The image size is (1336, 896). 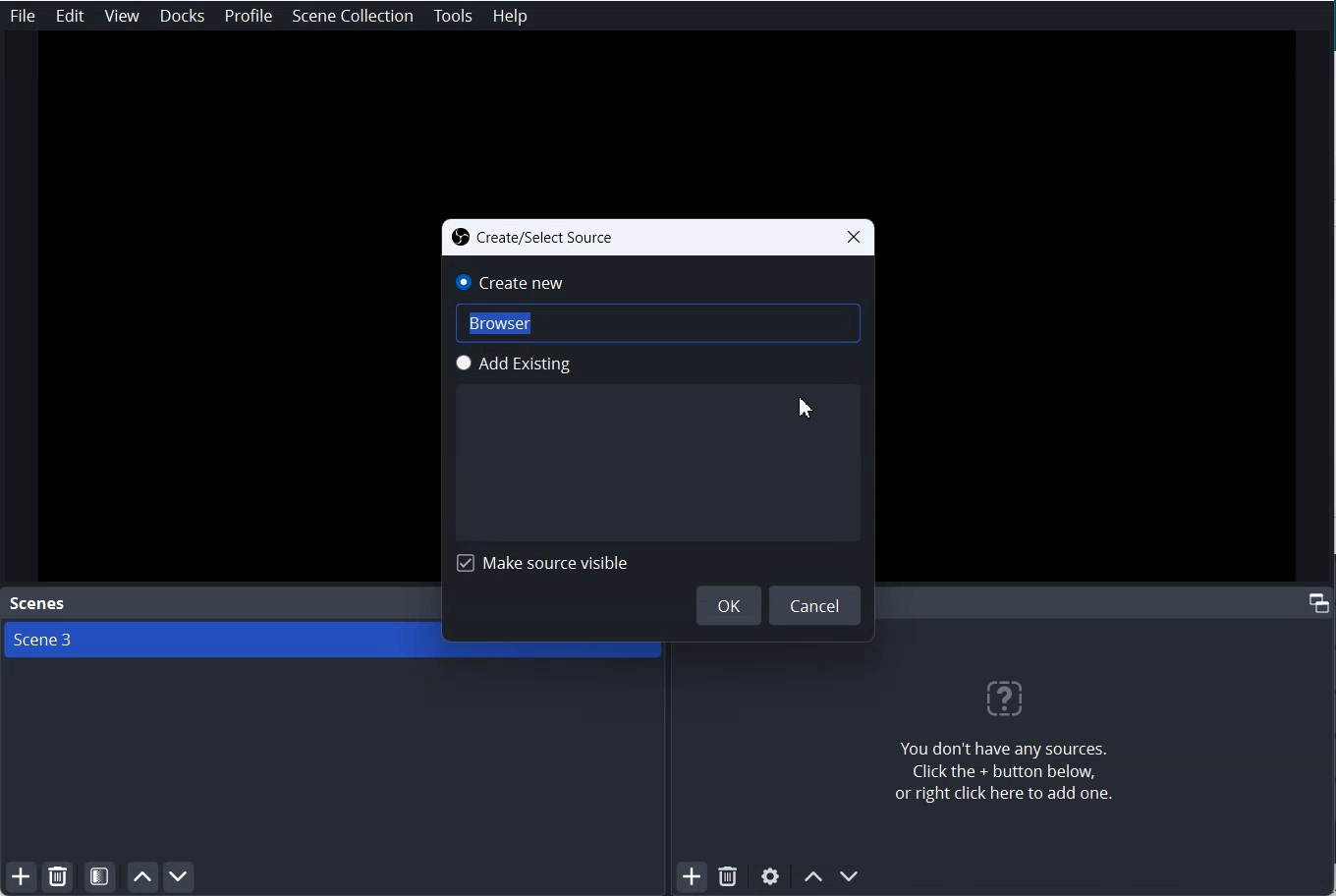 What do you see at coordinates (181, 877) in the screenshot?
I see `Move scene Down` at bounding box center [181, 877].